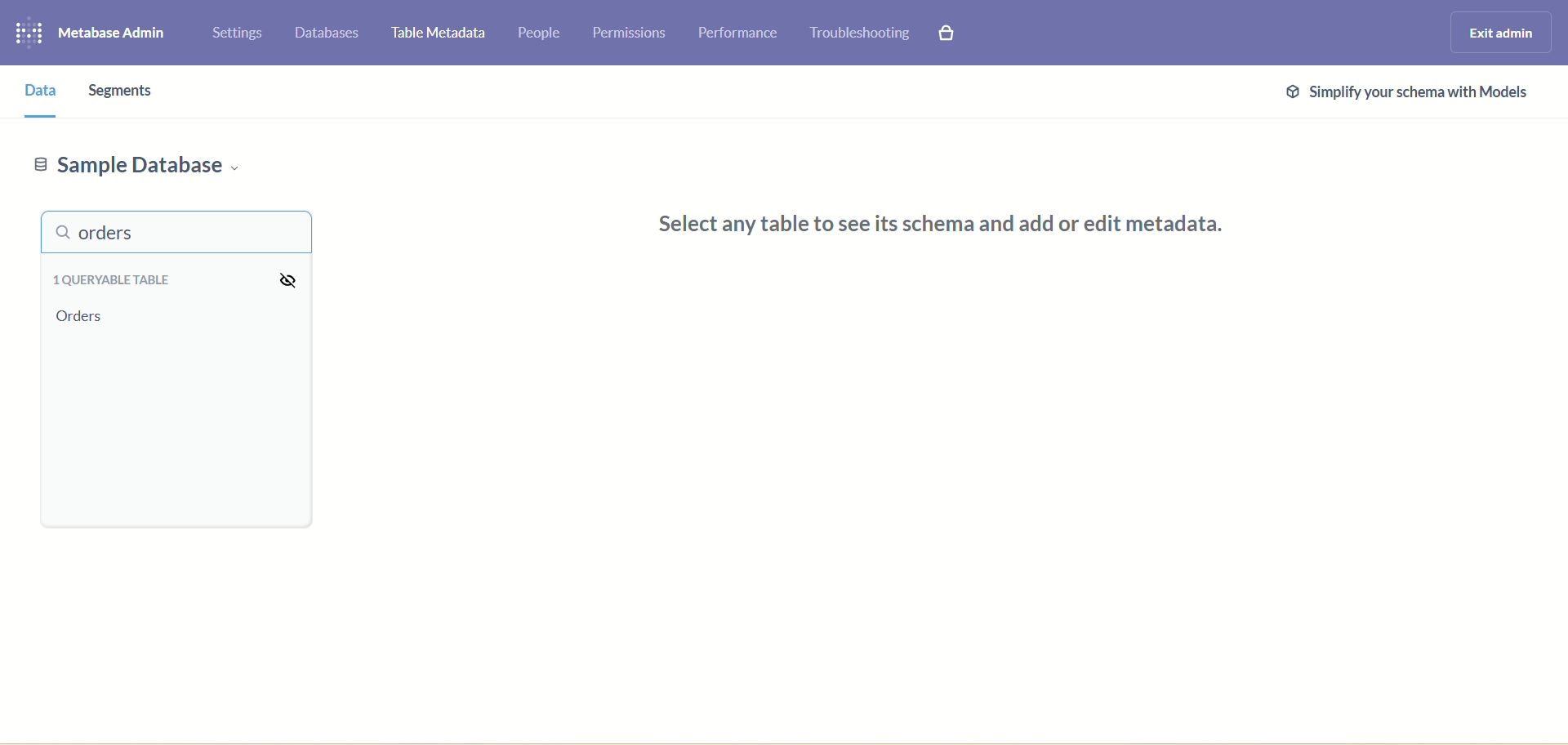 The width and height of the screenshot is (1568, 745). I want to click on people, so click(537, 33).